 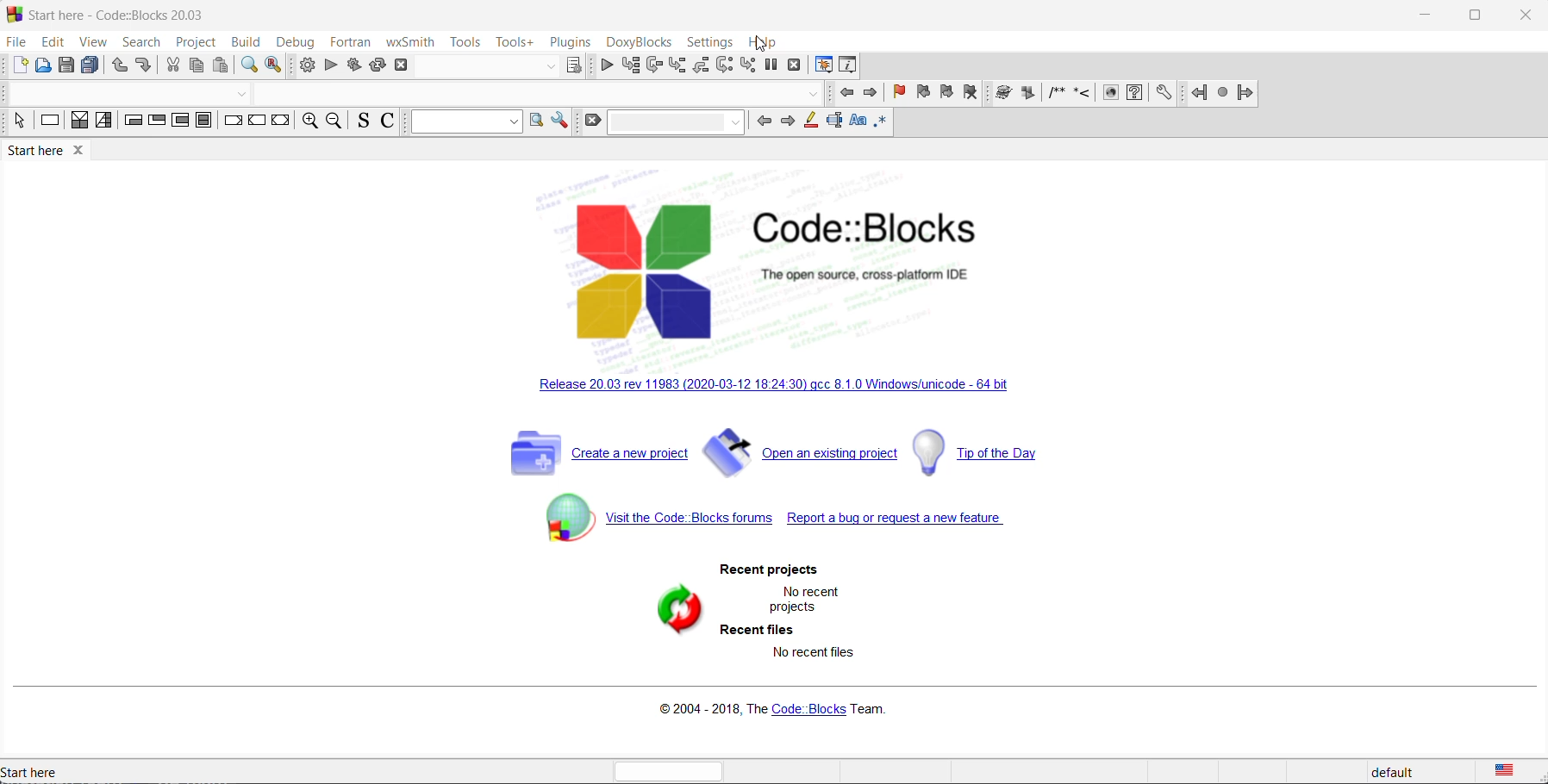 I want to click on counting loop, so click(x=180, y=124).